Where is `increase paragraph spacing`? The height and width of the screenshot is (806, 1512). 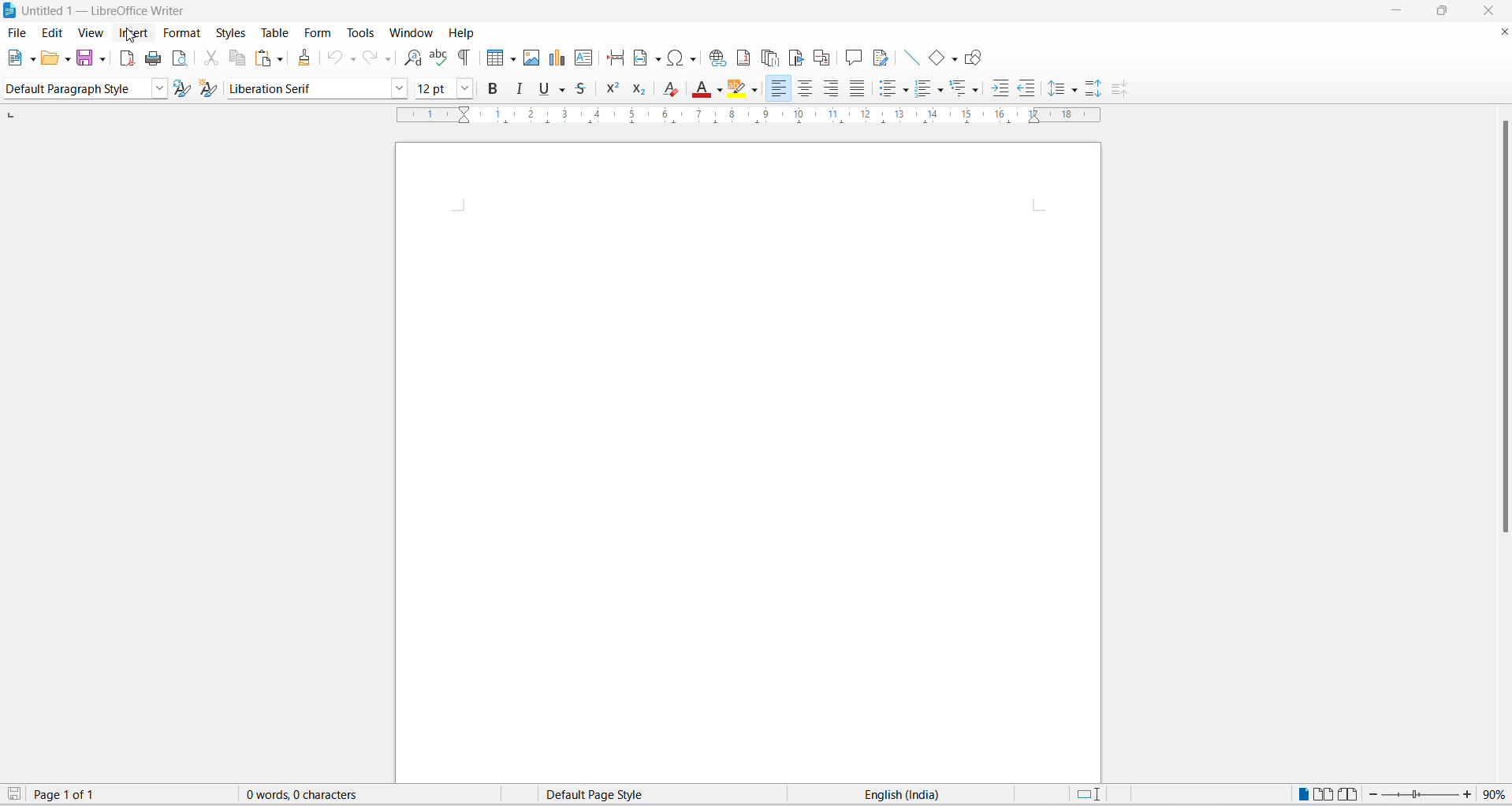 increase paragraph spacing is located at coordinates (1093, 88).